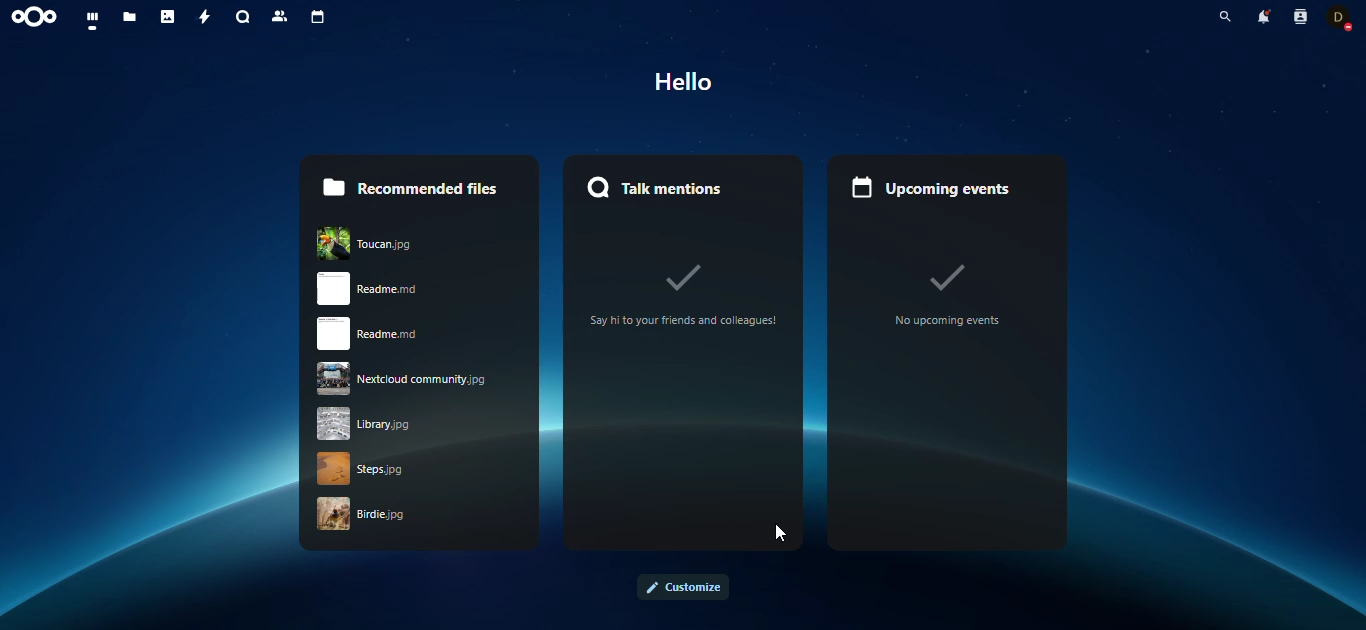  Describe the element at coordinates (402, 424) in the screenshot. I see `library jpg ` at that location.